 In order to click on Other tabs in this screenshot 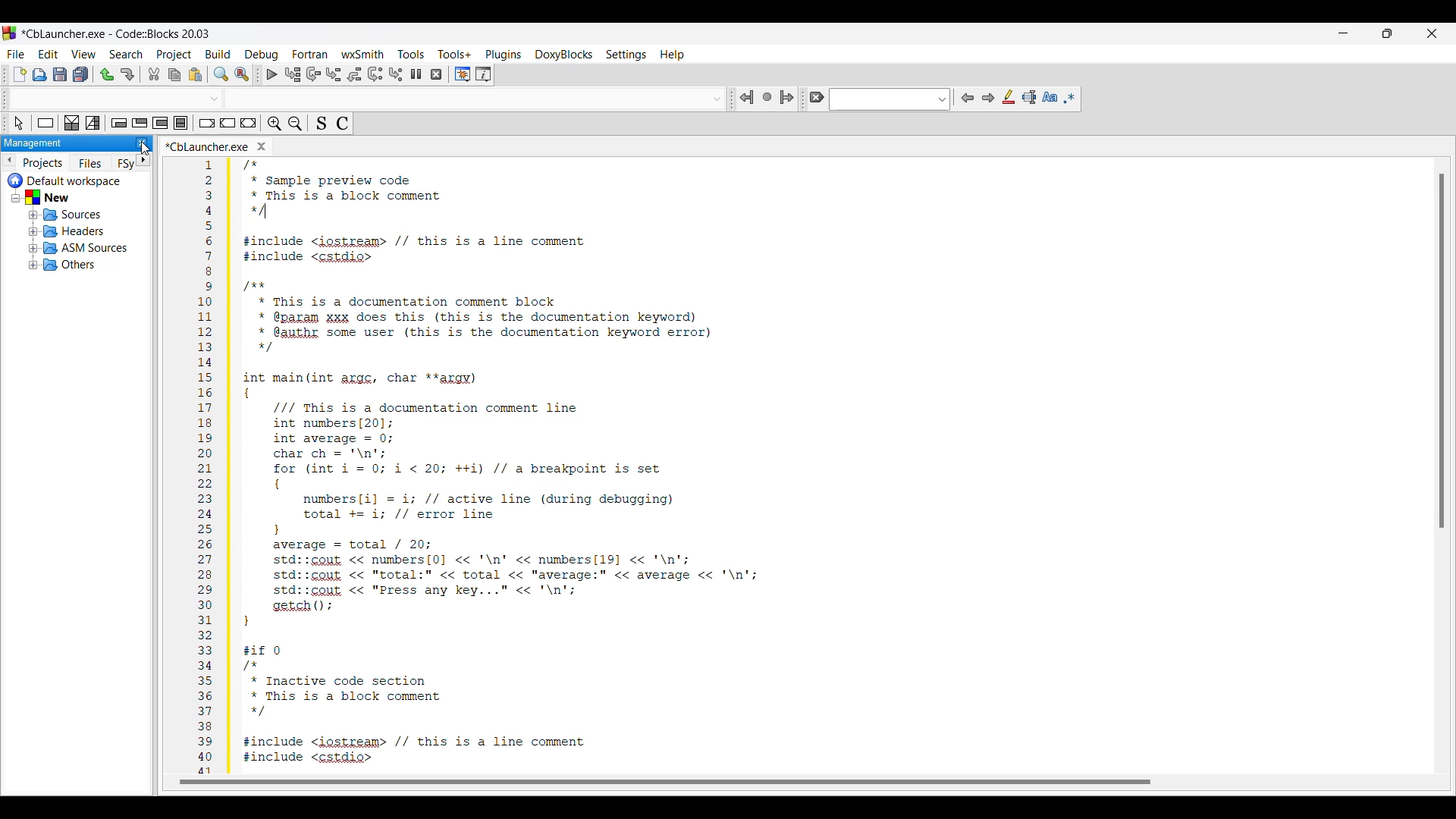, I will do `click(102, 163)`.